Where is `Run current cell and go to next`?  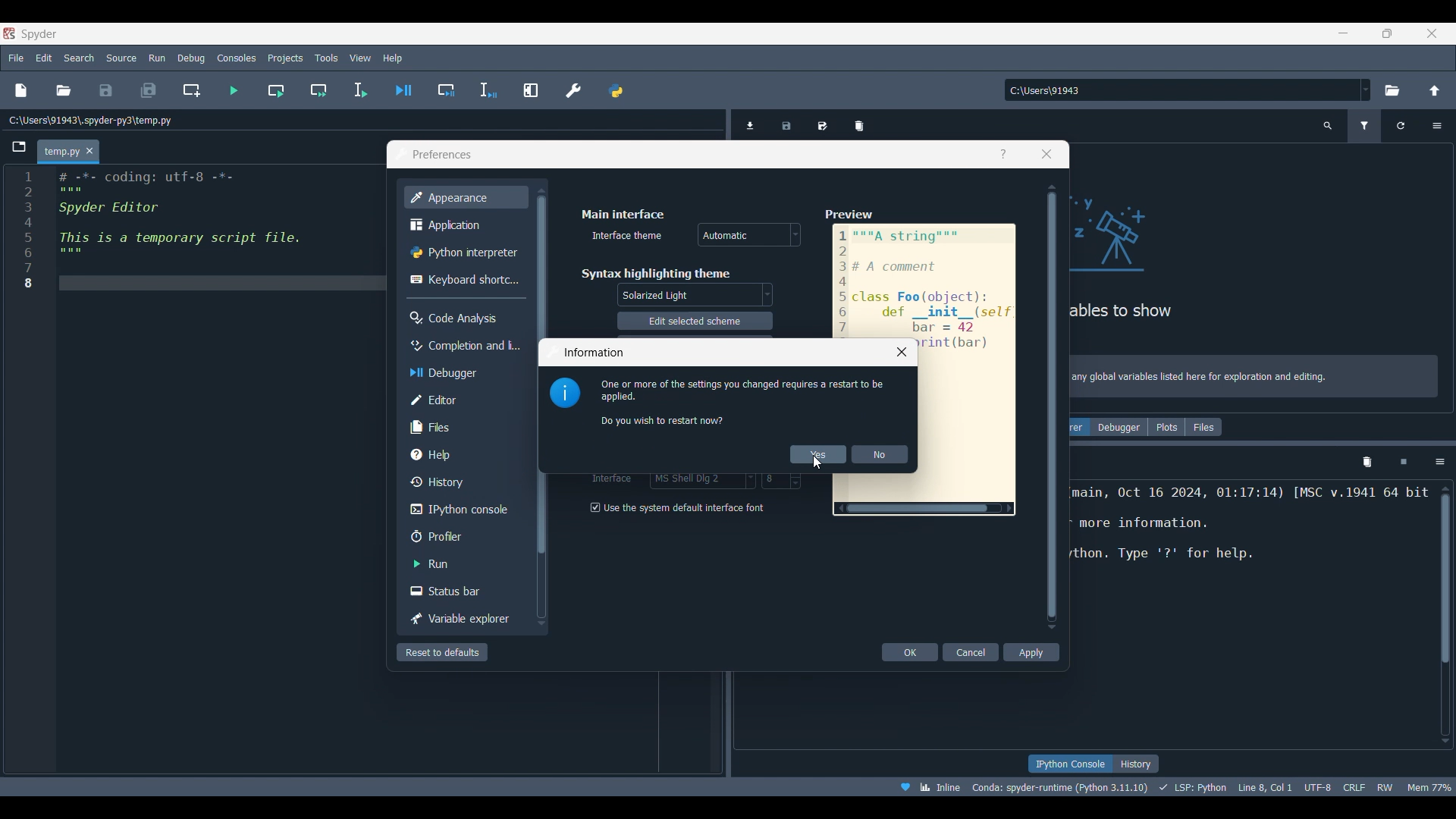
Run current cell and go to next is located at coordinates (319, 90).